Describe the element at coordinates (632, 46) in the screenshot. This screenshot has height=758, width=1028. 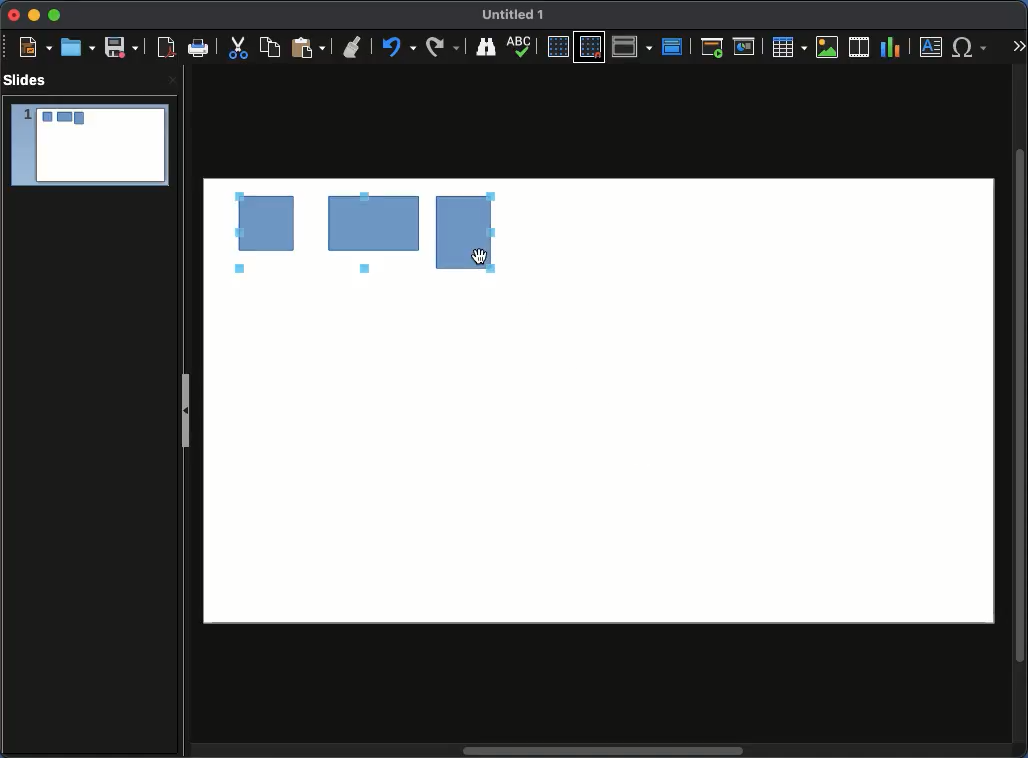
I see `Display views` at that location.